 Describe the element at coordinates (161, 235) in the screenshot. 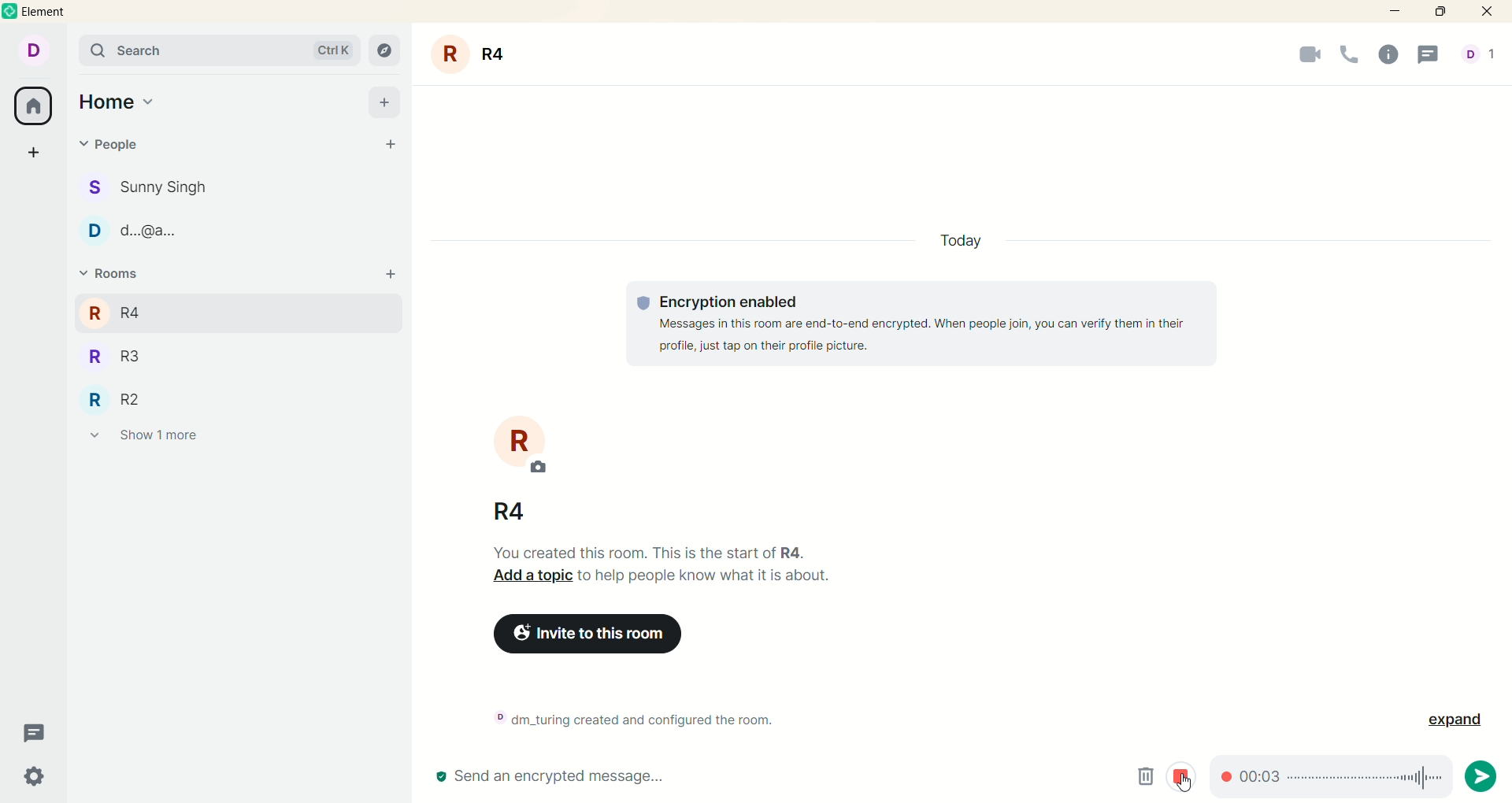

I see `people` at that location.